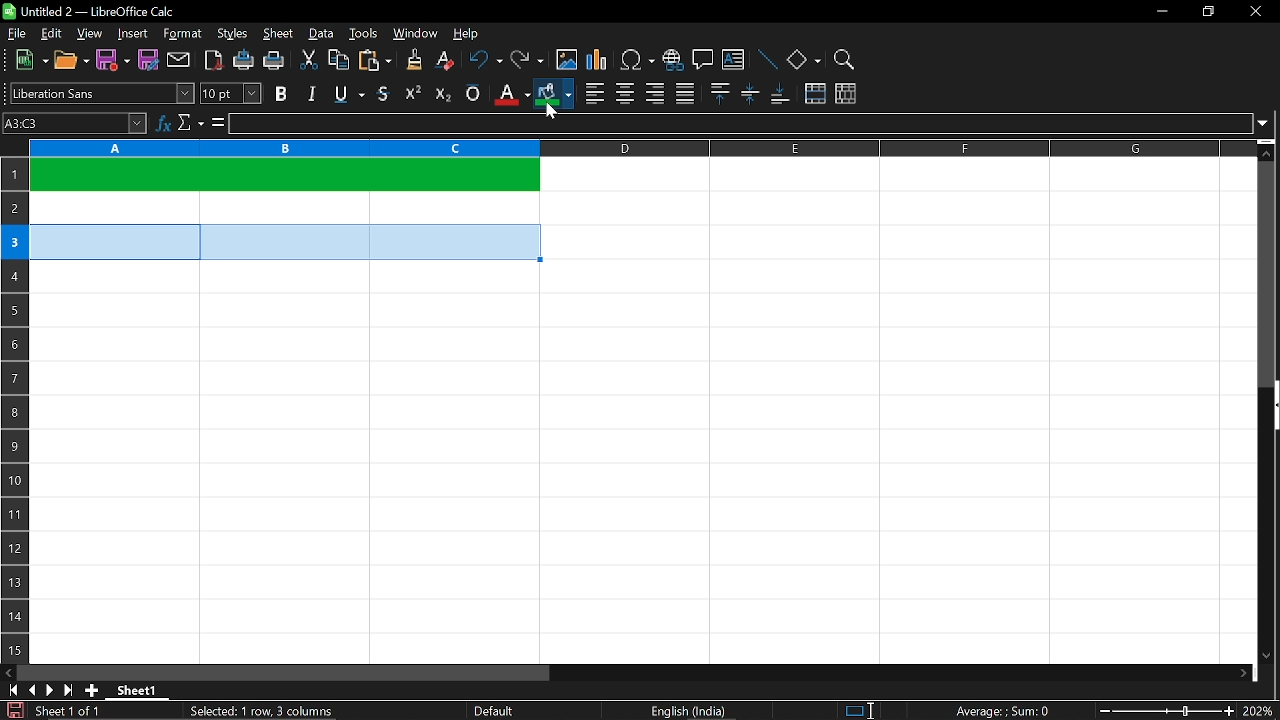 The image size is (1280, 720). I want to click on view, so click(88, 34).